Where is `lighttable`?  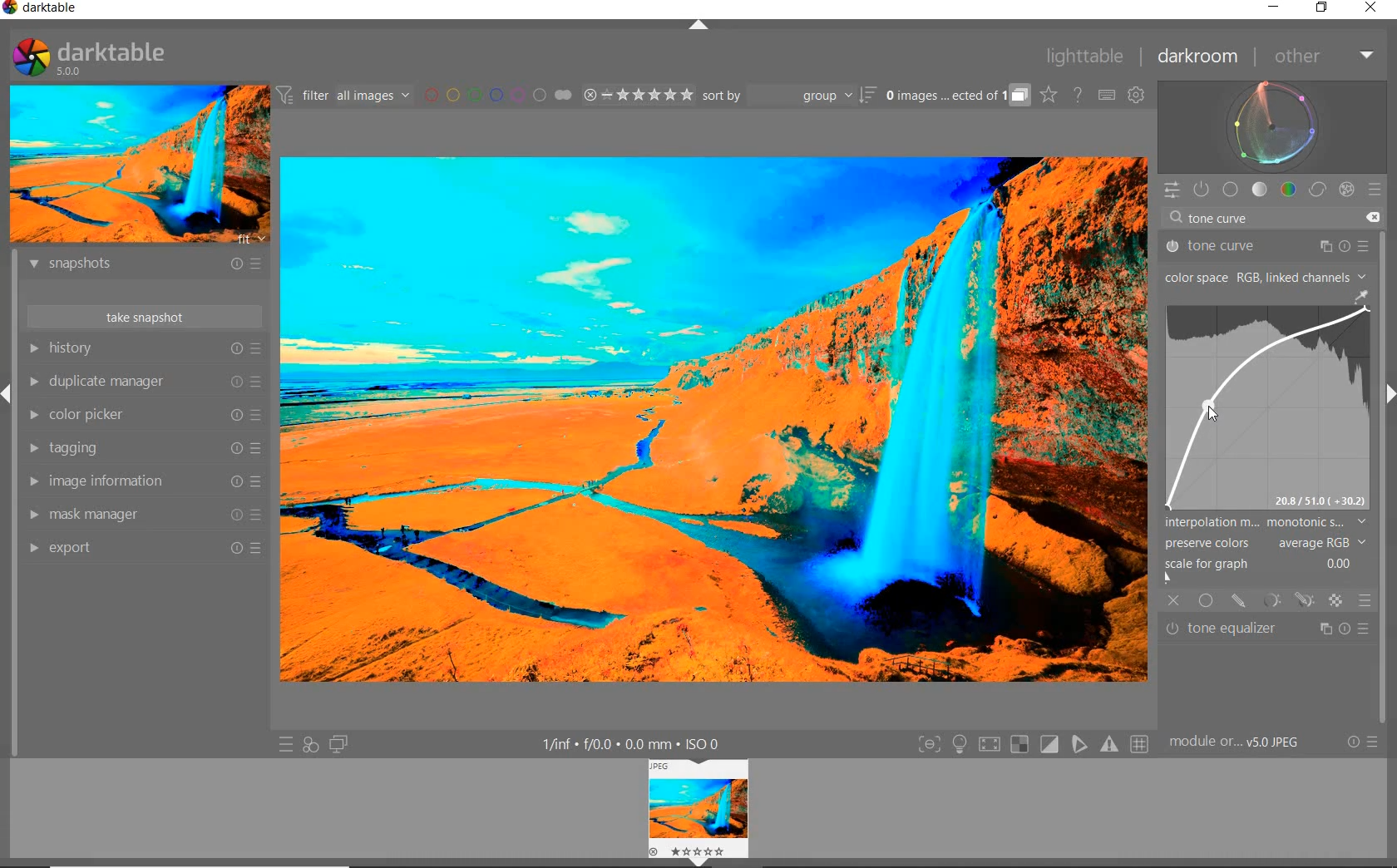
lighttable is located at coordinates (1089, 57).